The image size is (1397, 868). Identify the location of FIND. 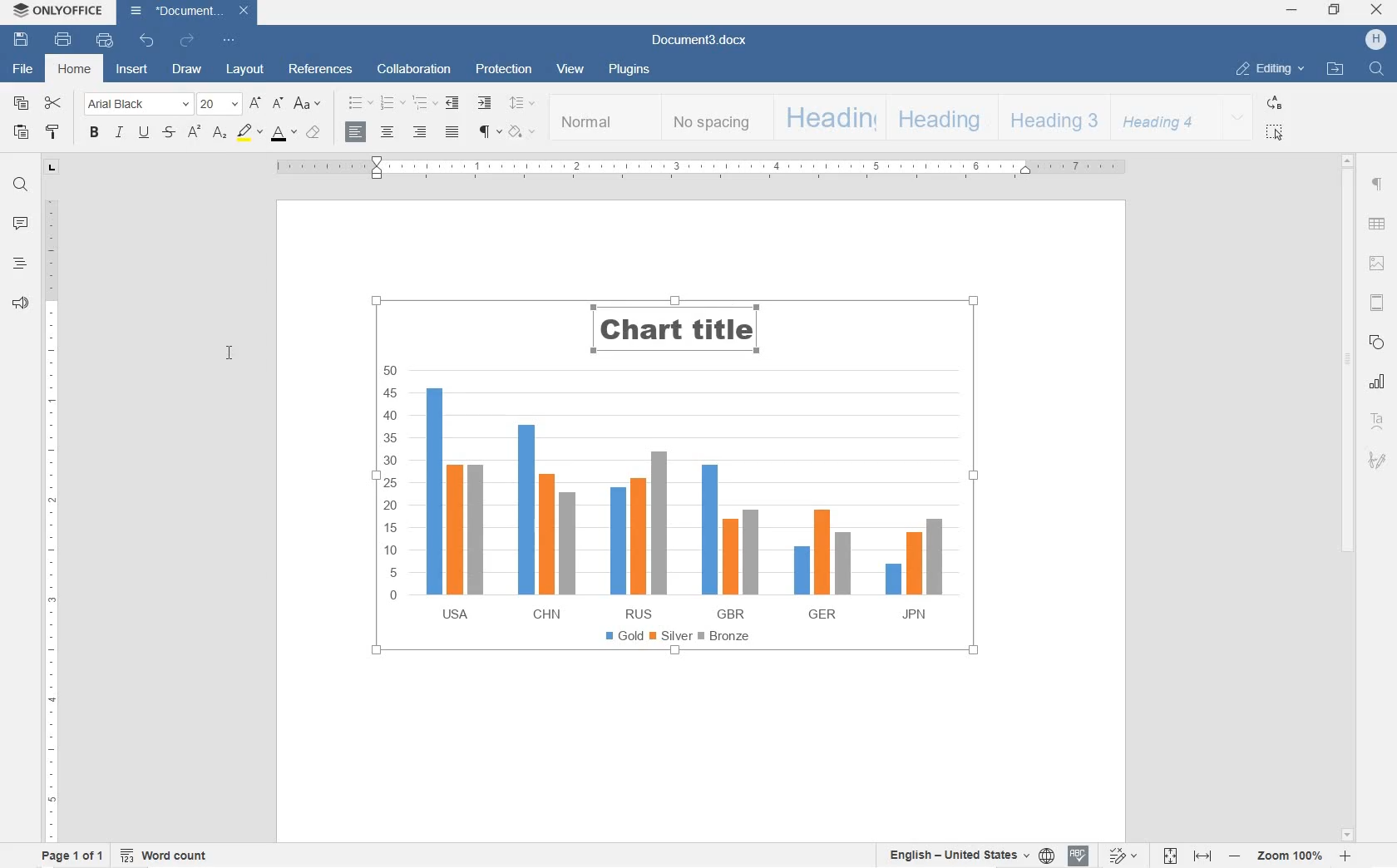
(1376, 68).